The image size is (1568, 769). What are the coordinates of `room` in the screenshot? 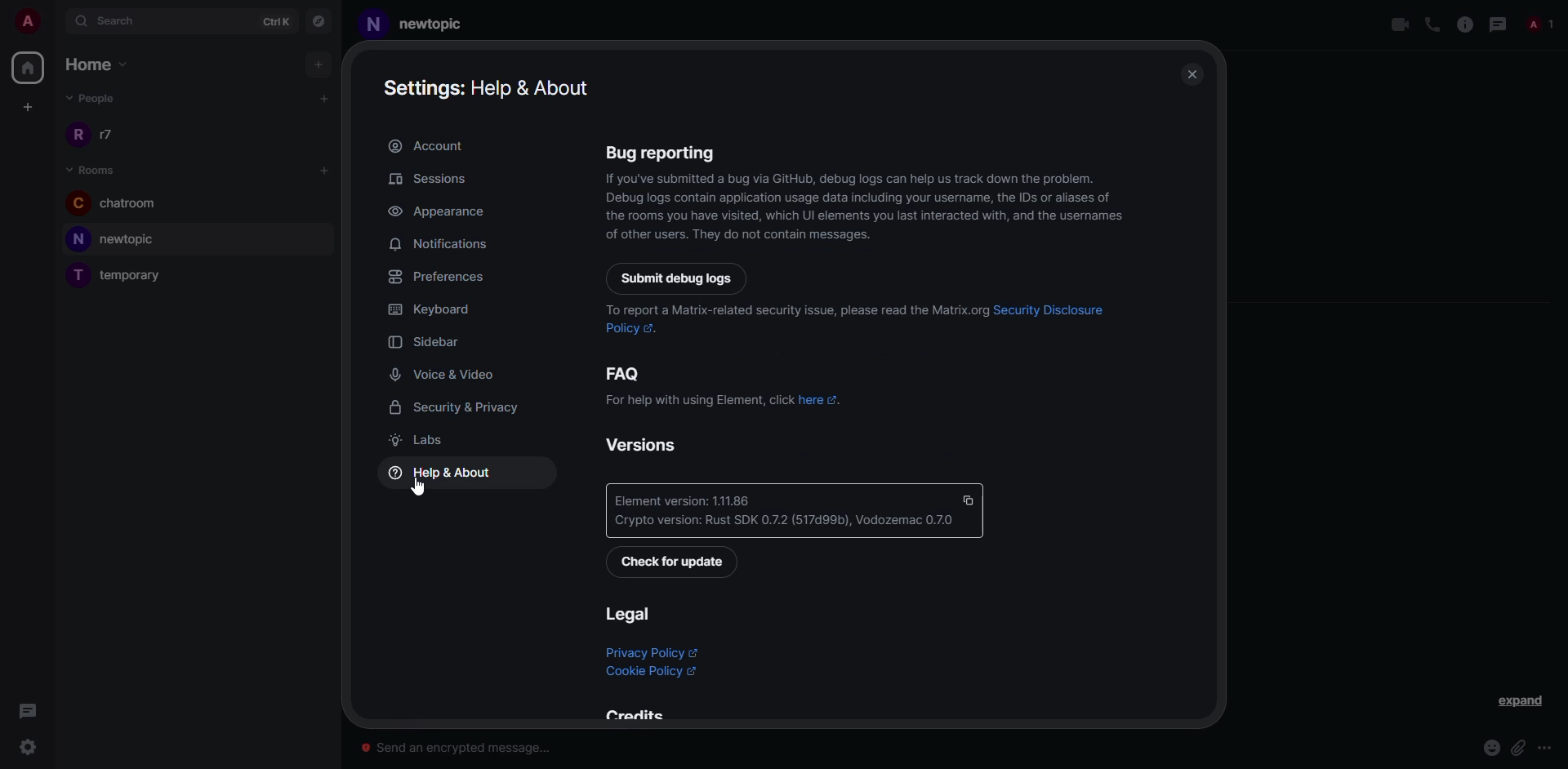 It's located at (126, 204).